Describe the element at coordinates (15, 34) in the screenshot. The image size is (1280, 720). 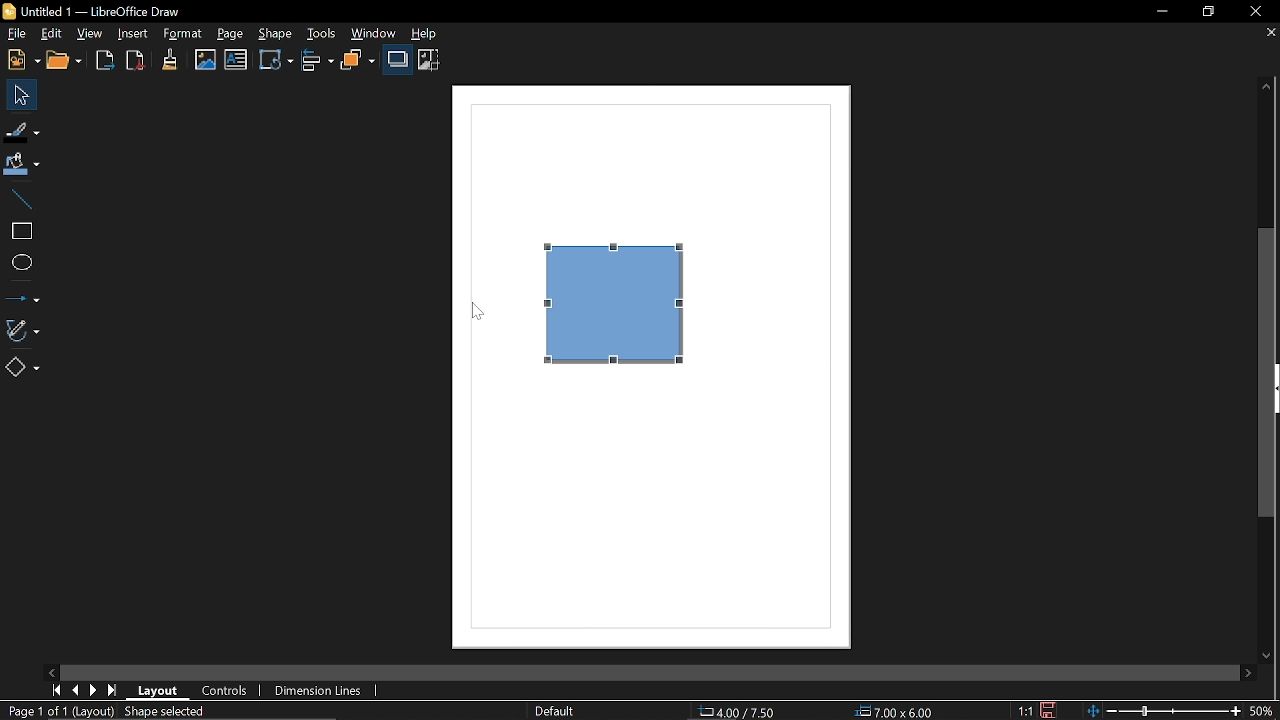
I see `File` at that location.